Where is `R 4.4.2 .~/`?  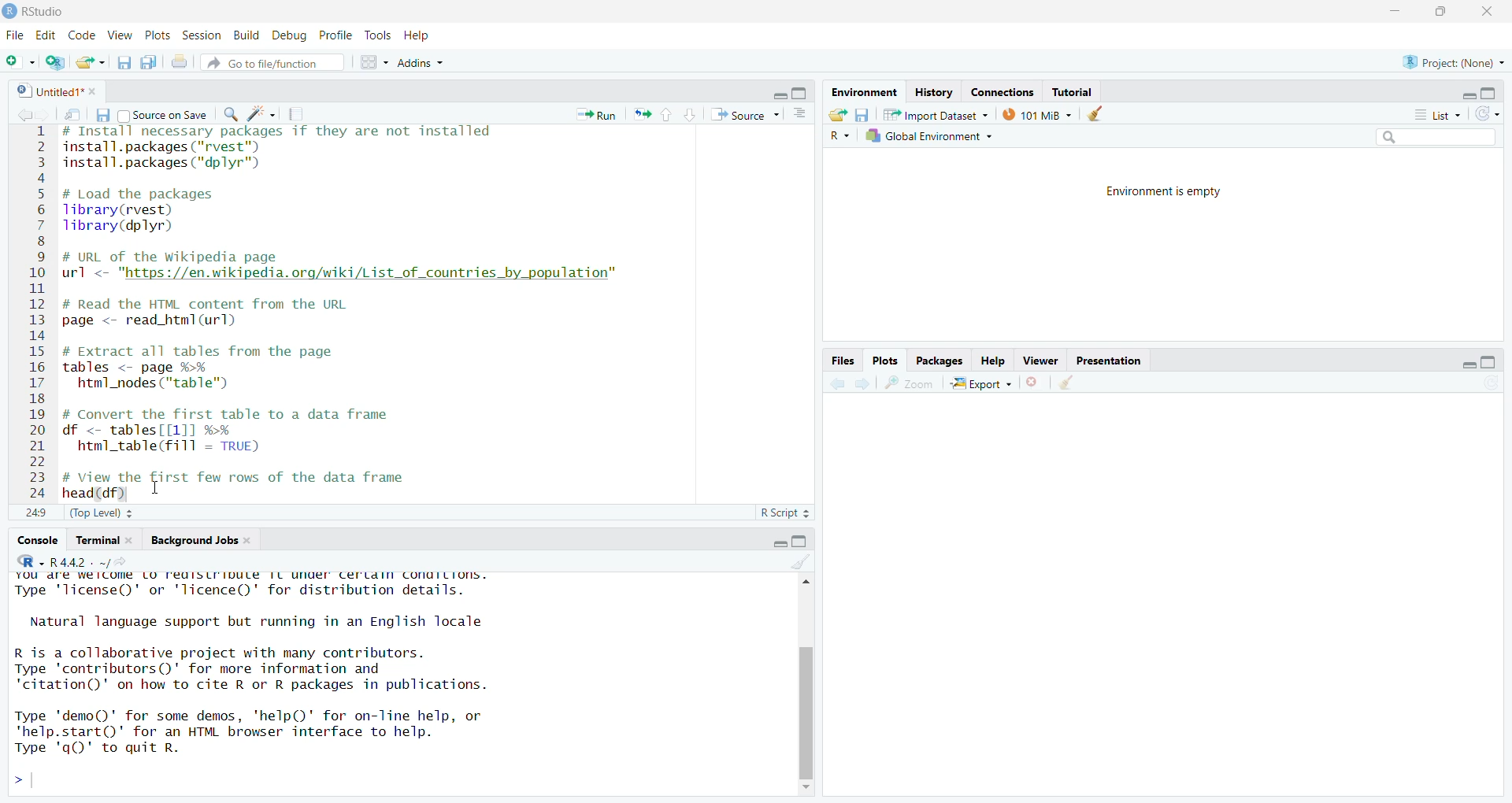 R 4.4.2 .~/ is located at coordinates (94, 561).